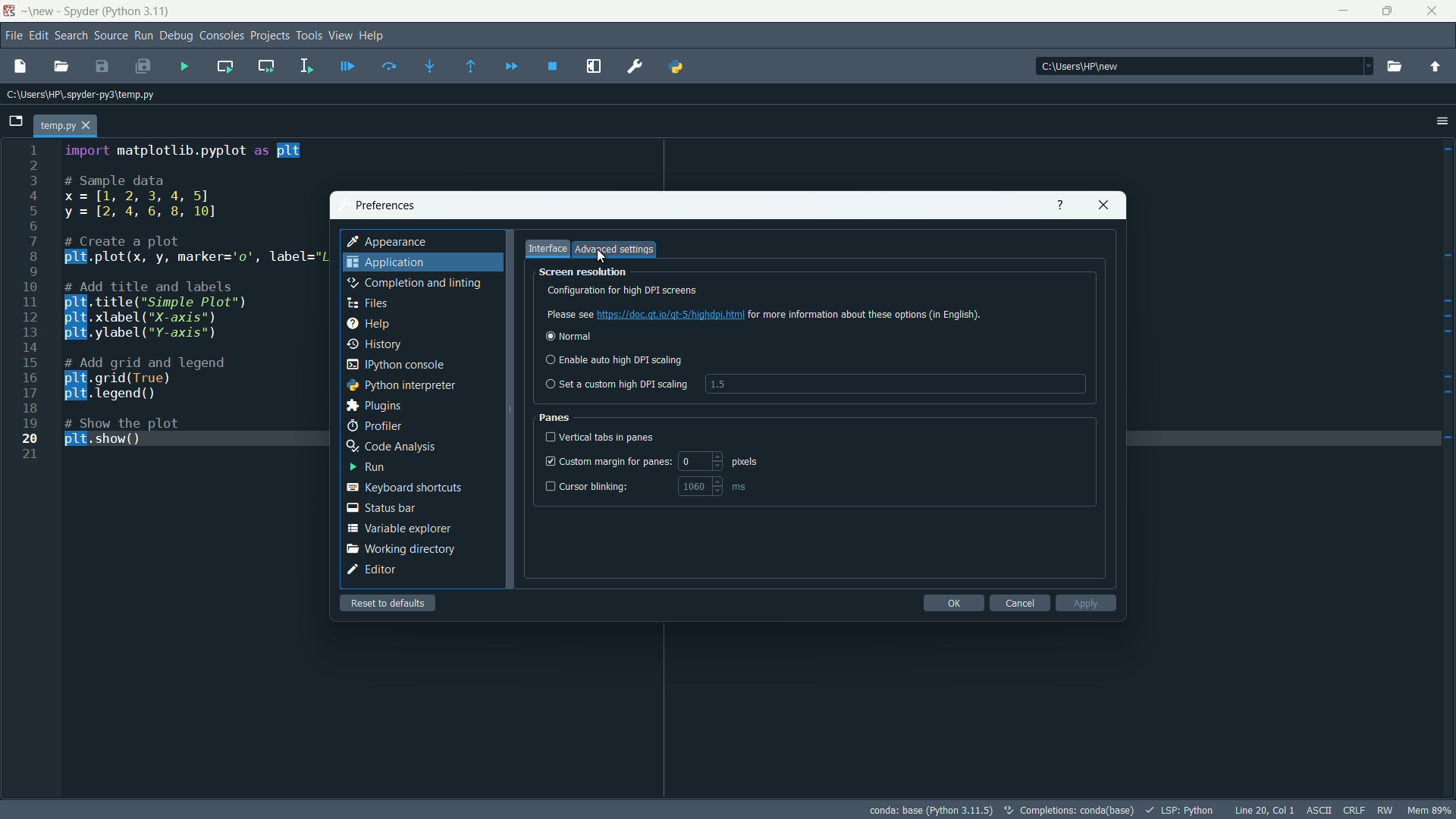 This screenshot has height=819, width=1456. Describe the element at coordinates (142, 67) in the screenshot. I see `save all files` at that location.